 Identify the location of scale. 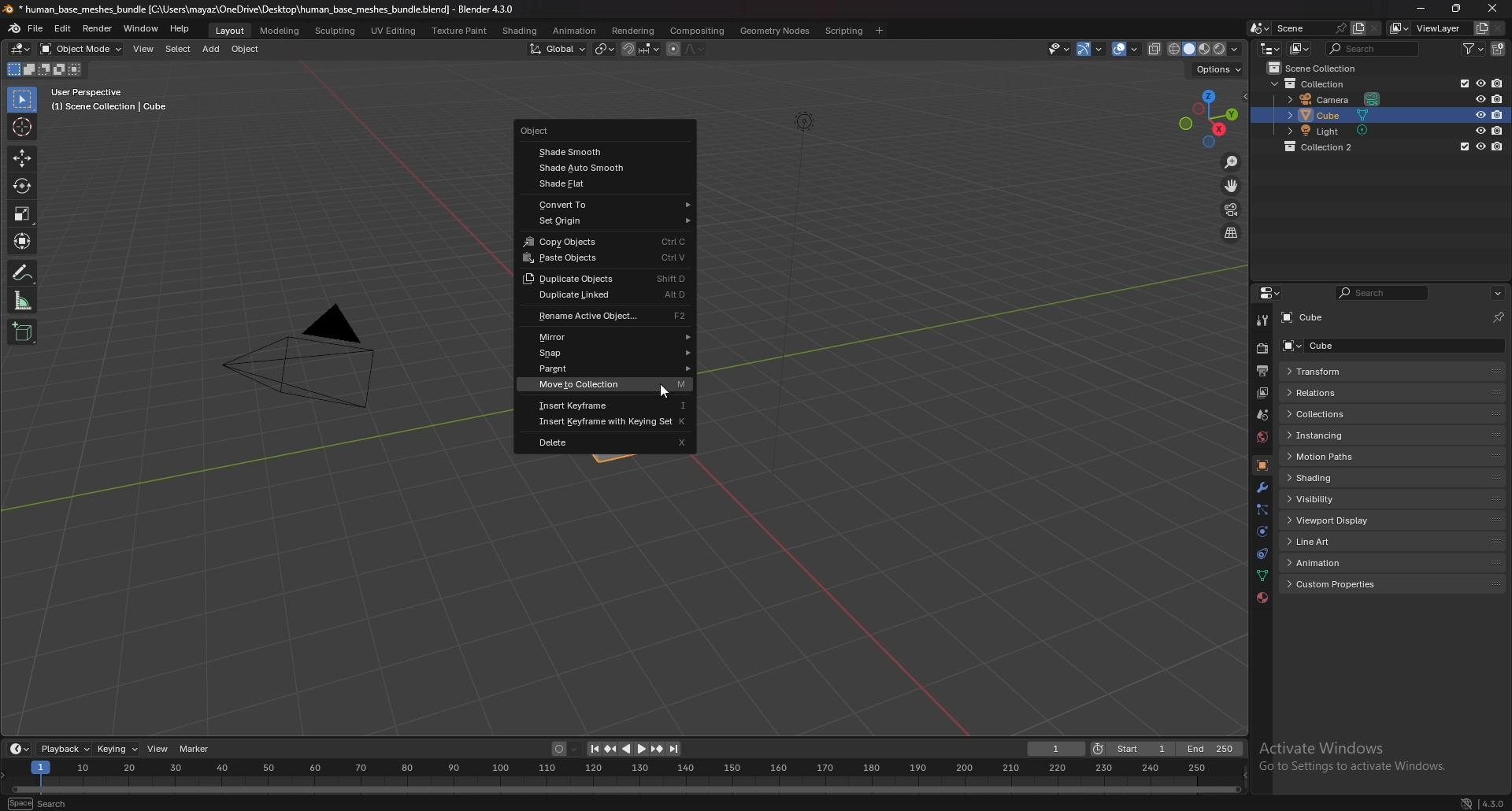
(24, 214).